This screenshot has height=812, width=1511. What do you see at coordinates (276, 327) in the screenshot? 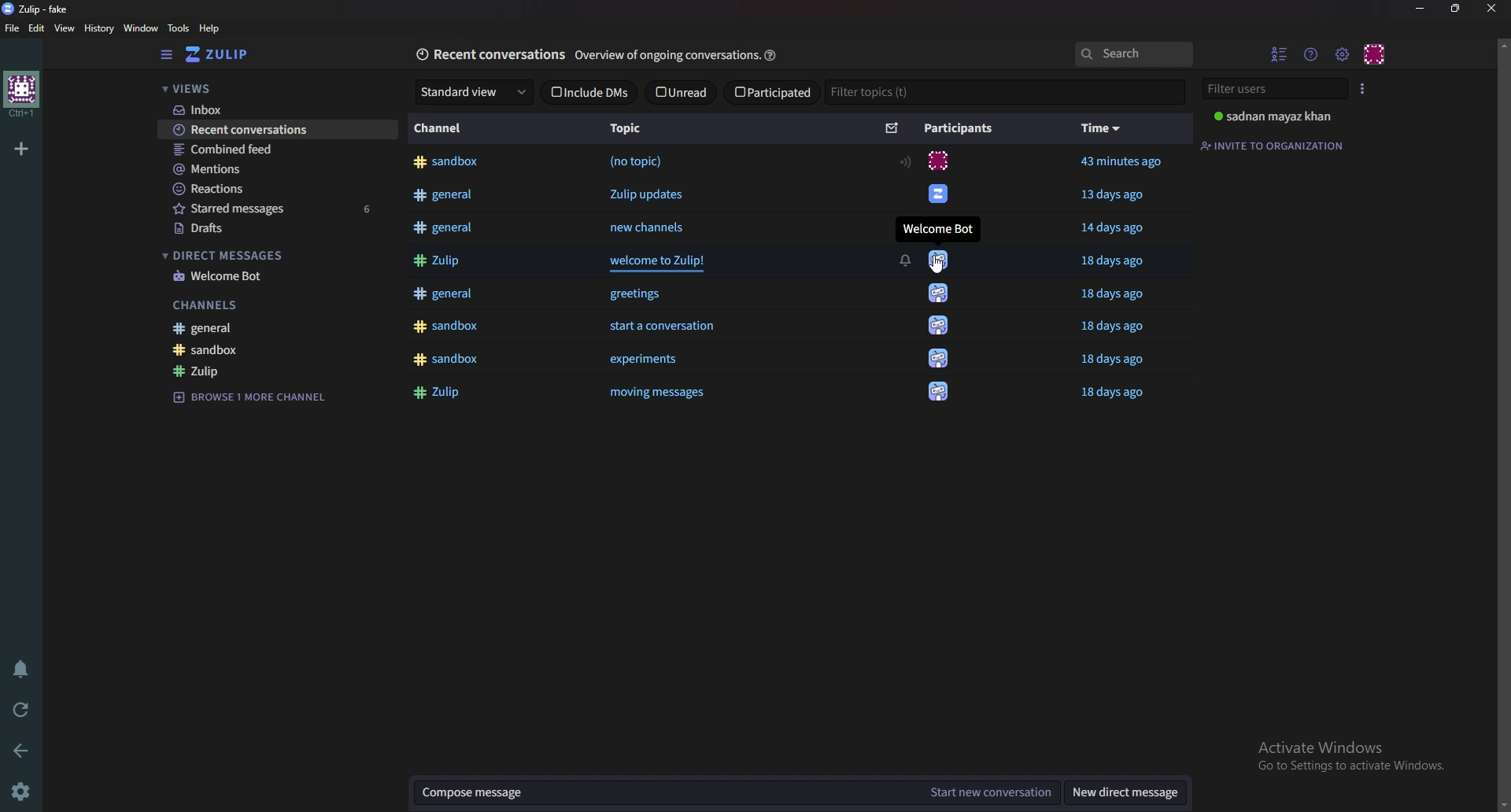
I see `General` at bounding box center [276, 327].